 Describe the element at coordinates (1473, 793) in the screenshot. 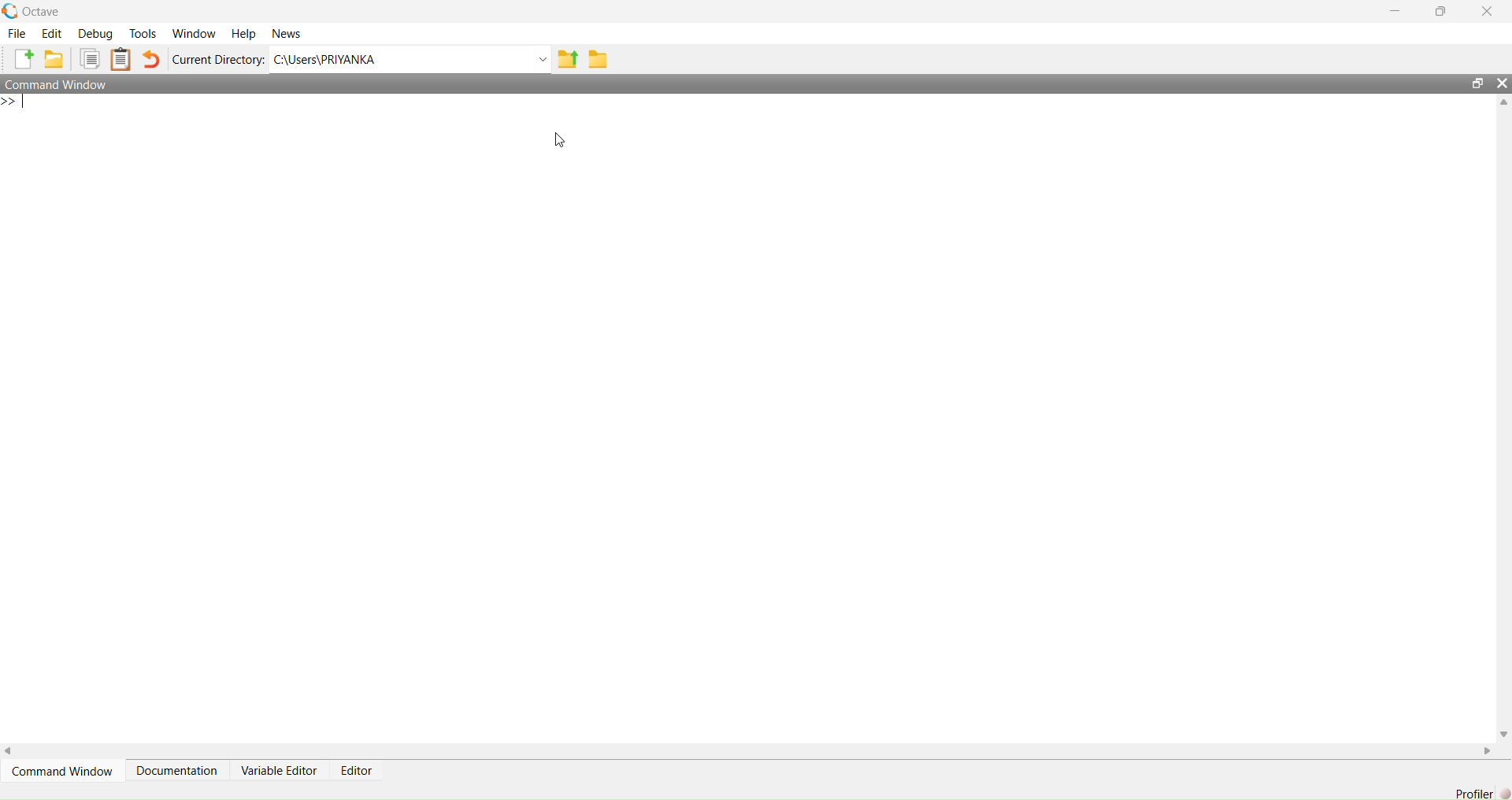

I see `Profiler` at that location.